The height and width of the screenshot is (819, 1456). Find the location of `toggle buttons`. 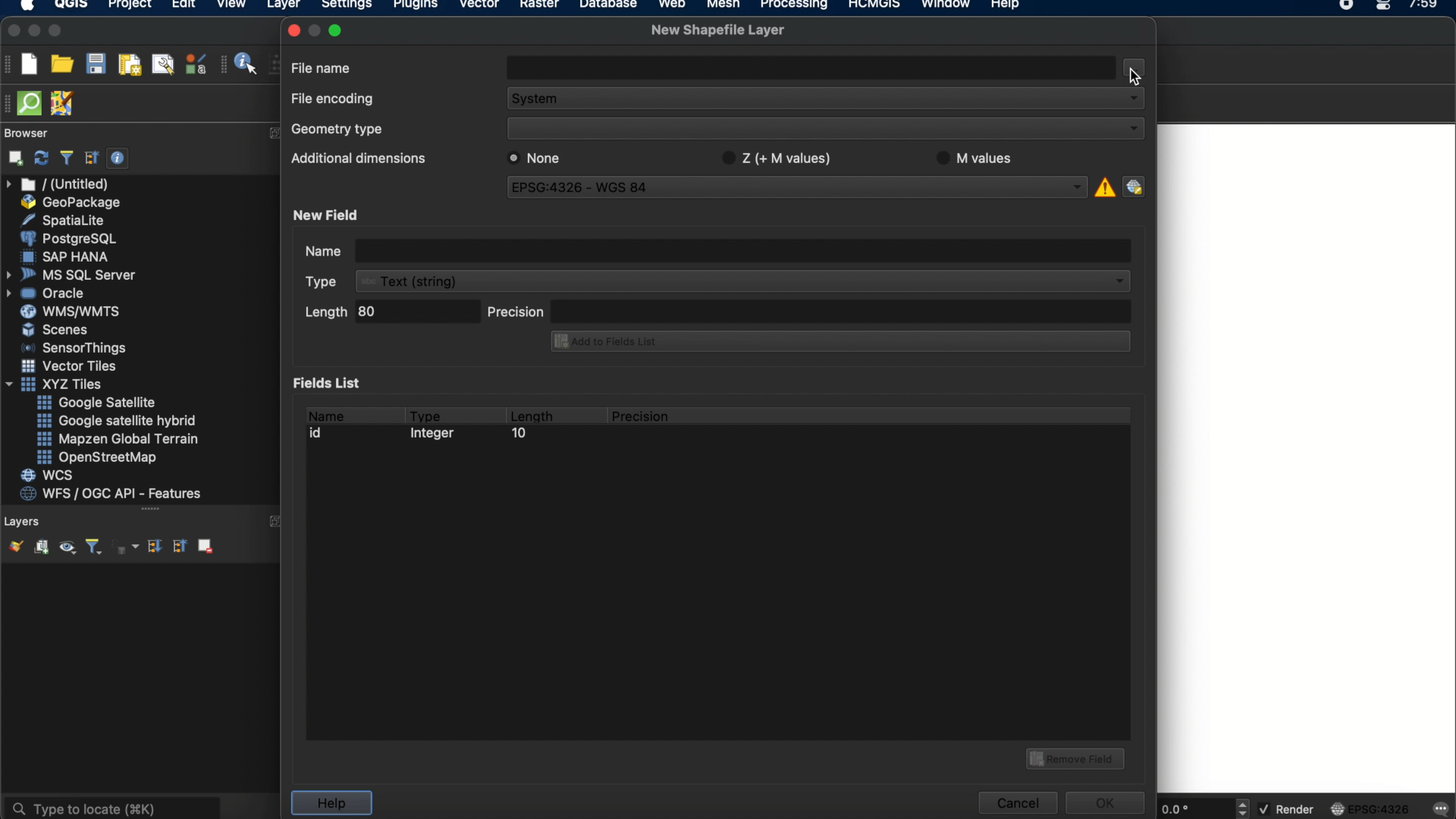

toggle buttons is located at coordinates (1244, 808).